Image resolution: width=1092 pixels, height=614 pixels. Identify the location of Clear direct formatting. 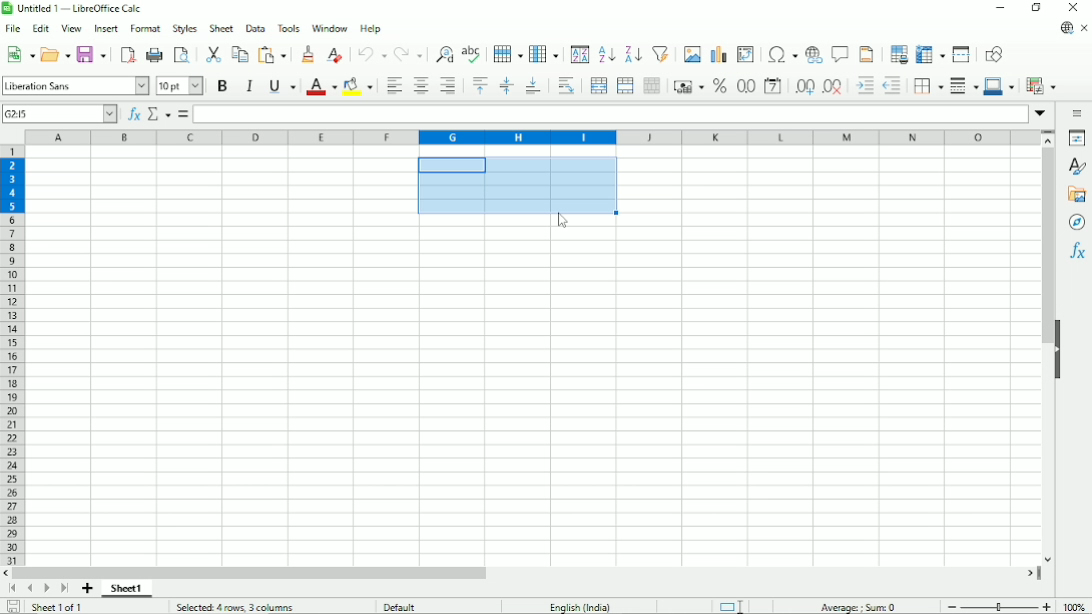
(335, 56).